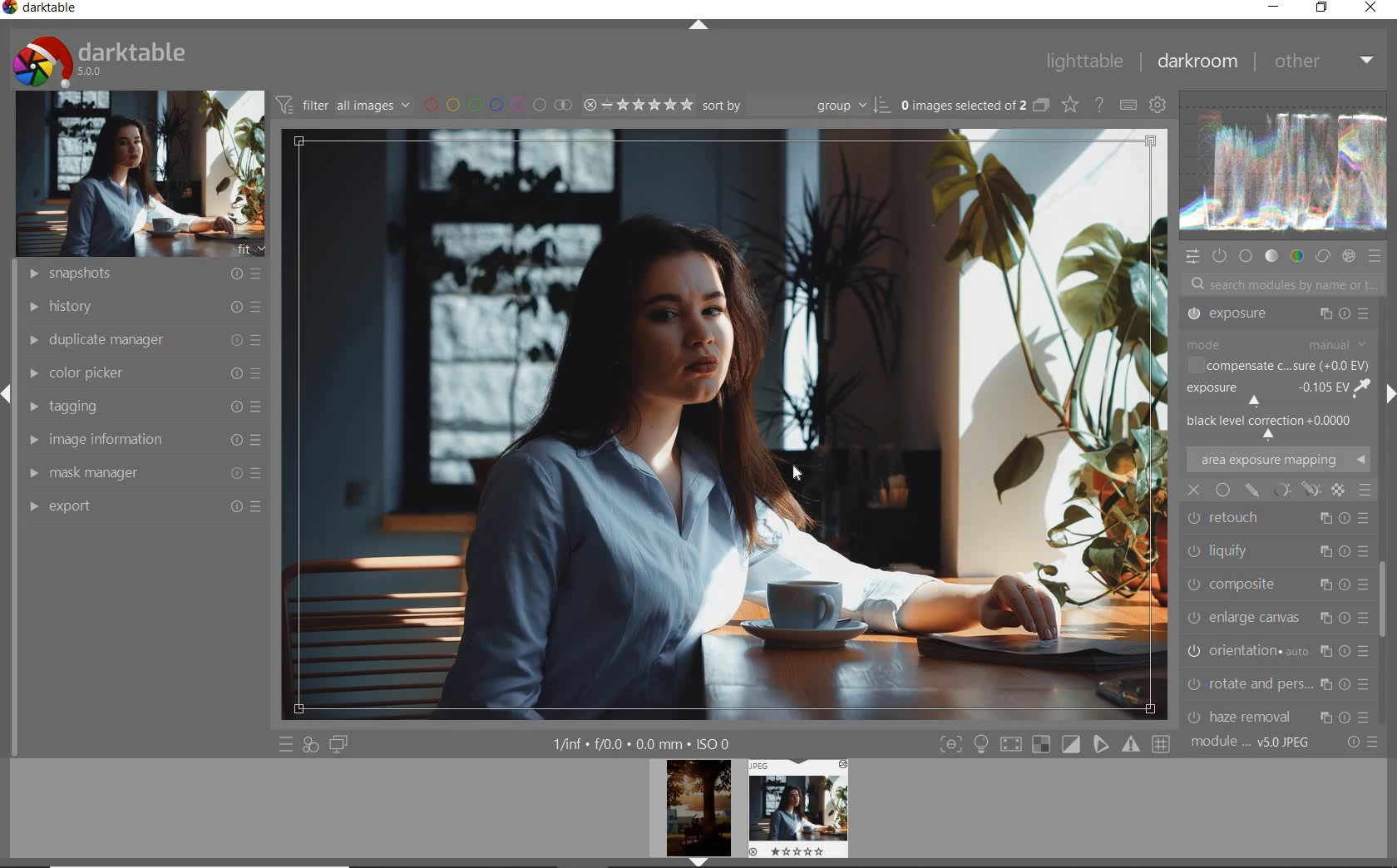 The height and width of the screenshot is (868, 1397). What do you see at coordinates (136, 173) in the screenshot?
I see `IMAGE` at bounding box center [136, 173].